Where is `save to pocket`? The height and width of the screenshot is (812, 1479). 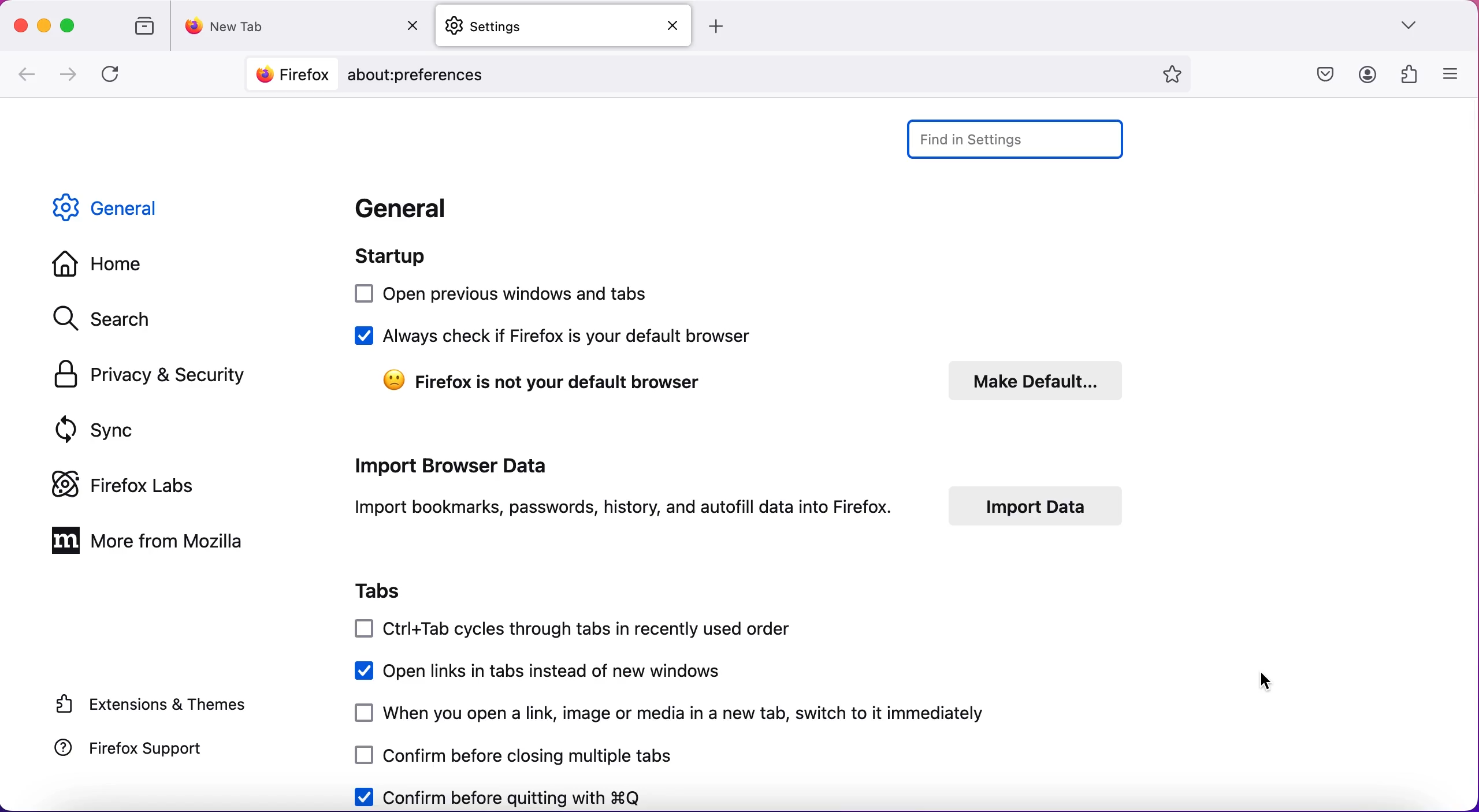 save to pocket is located at coordinates (1328, 75).